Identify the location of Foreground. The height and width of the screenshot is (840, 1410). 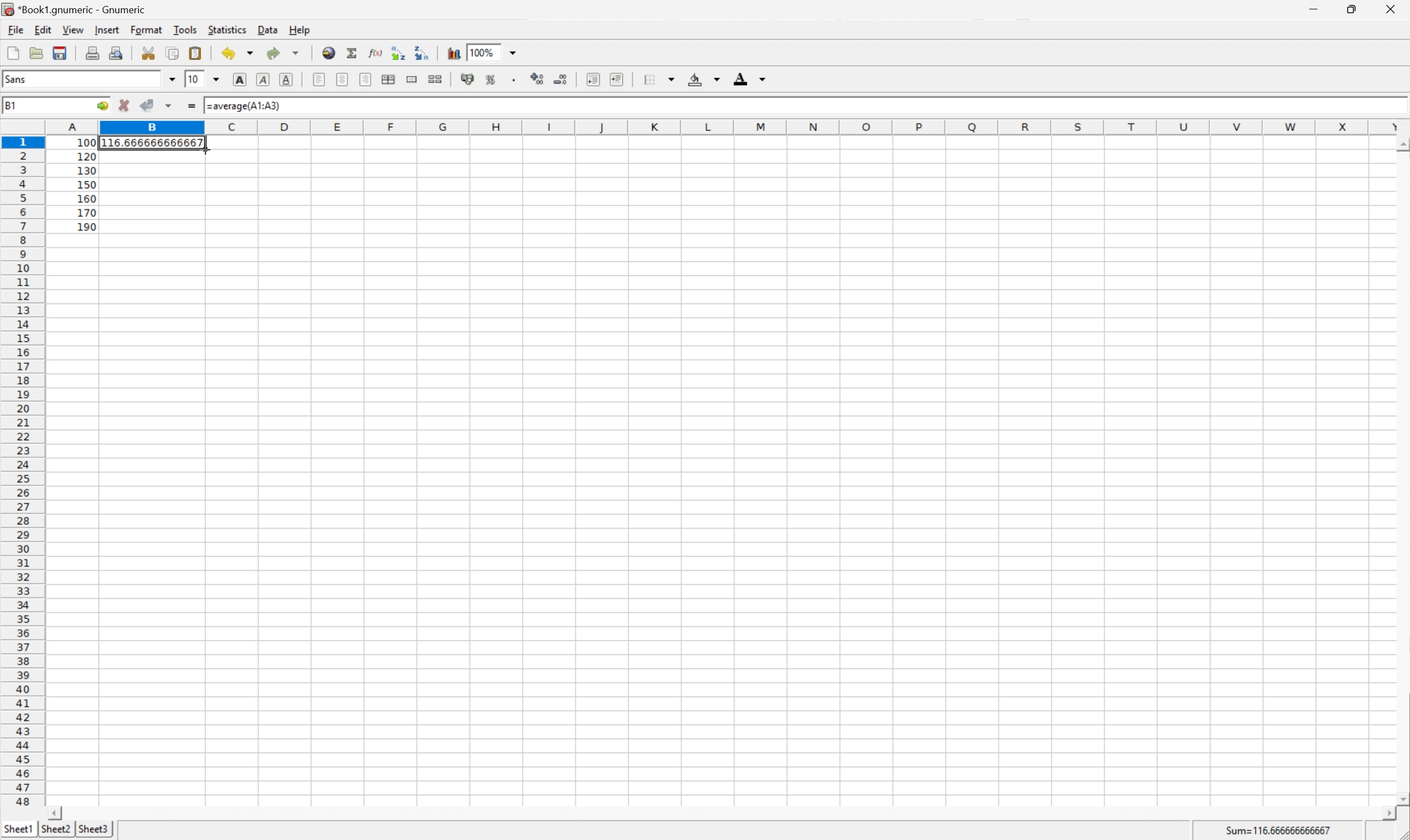
(749, 79).